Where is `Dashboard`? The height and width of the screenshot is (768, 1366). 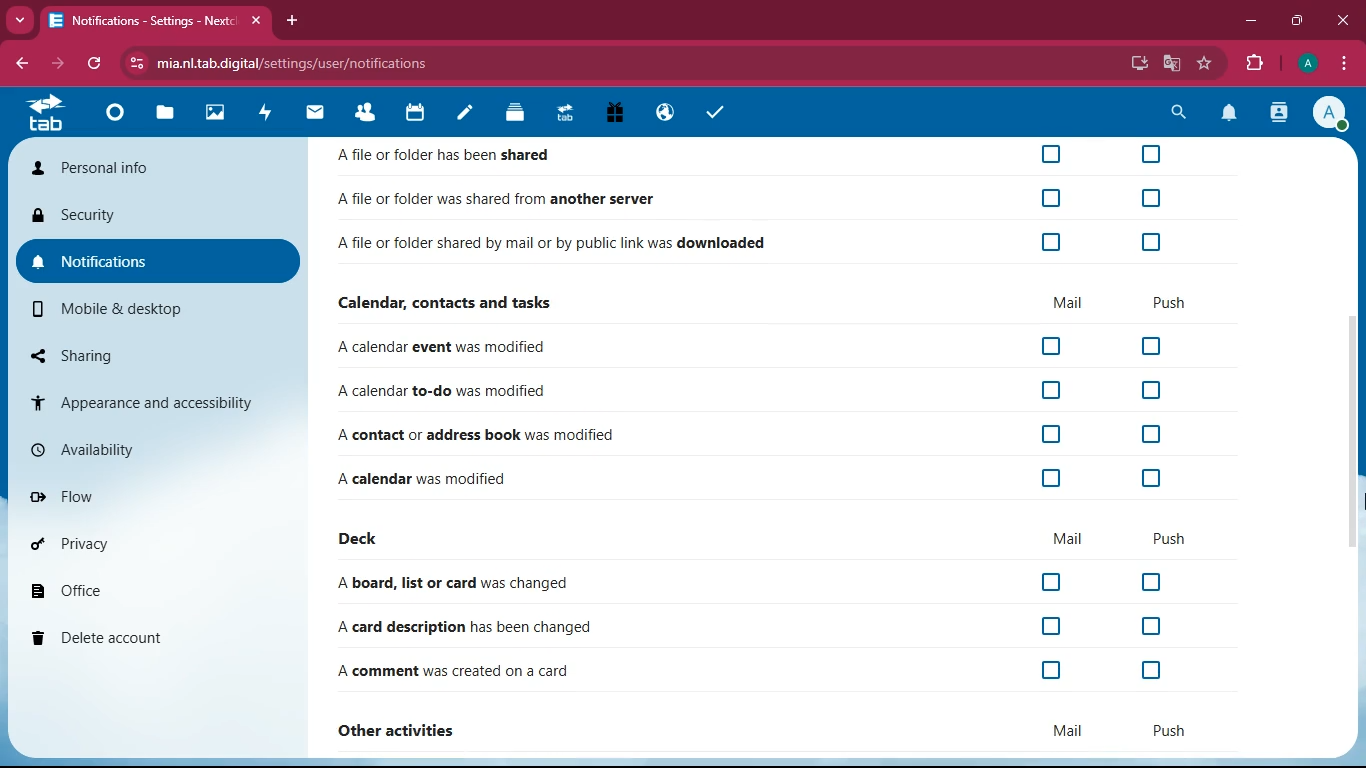
Dashboard is located at coordinates (115, 116).